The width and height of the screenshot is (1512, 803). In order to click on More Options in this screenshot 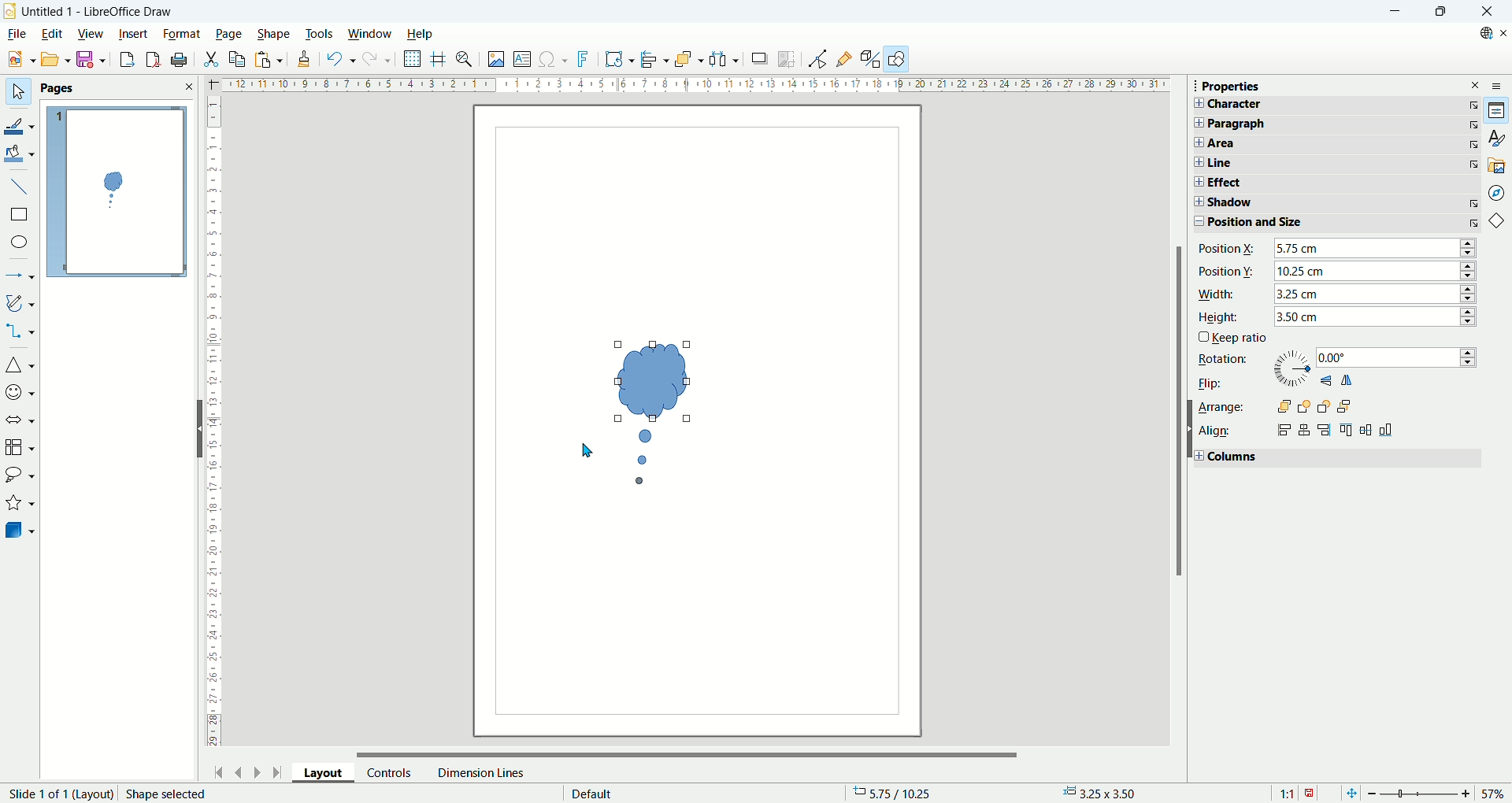, I will do `click(1474, 145)`.